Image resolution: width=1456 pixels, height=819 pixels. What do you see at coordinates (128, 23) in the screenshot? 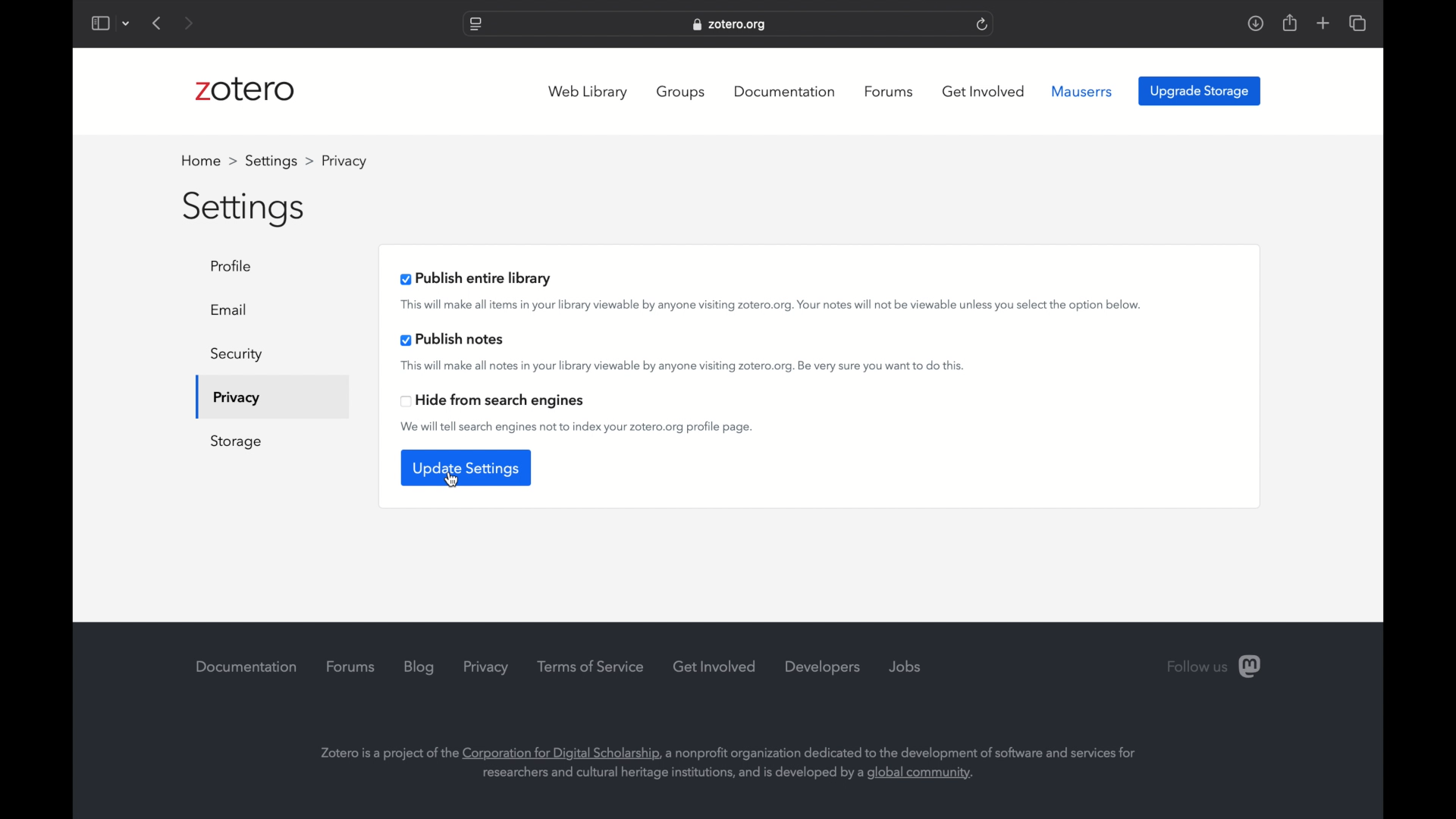
I see `dropdown` at bounding box center [128, 23].